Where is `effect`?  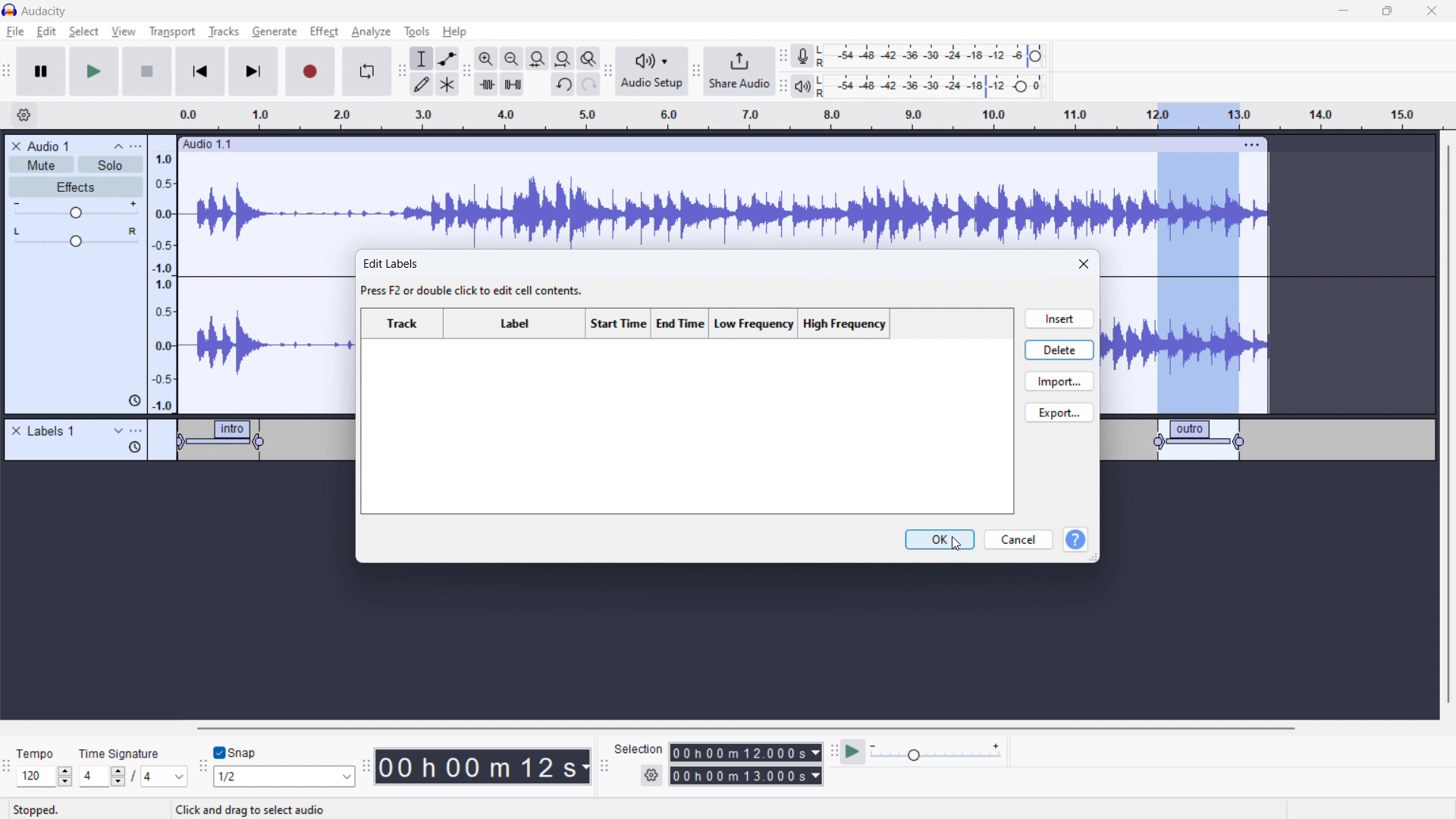
effect is located at coordinates (325, 32).